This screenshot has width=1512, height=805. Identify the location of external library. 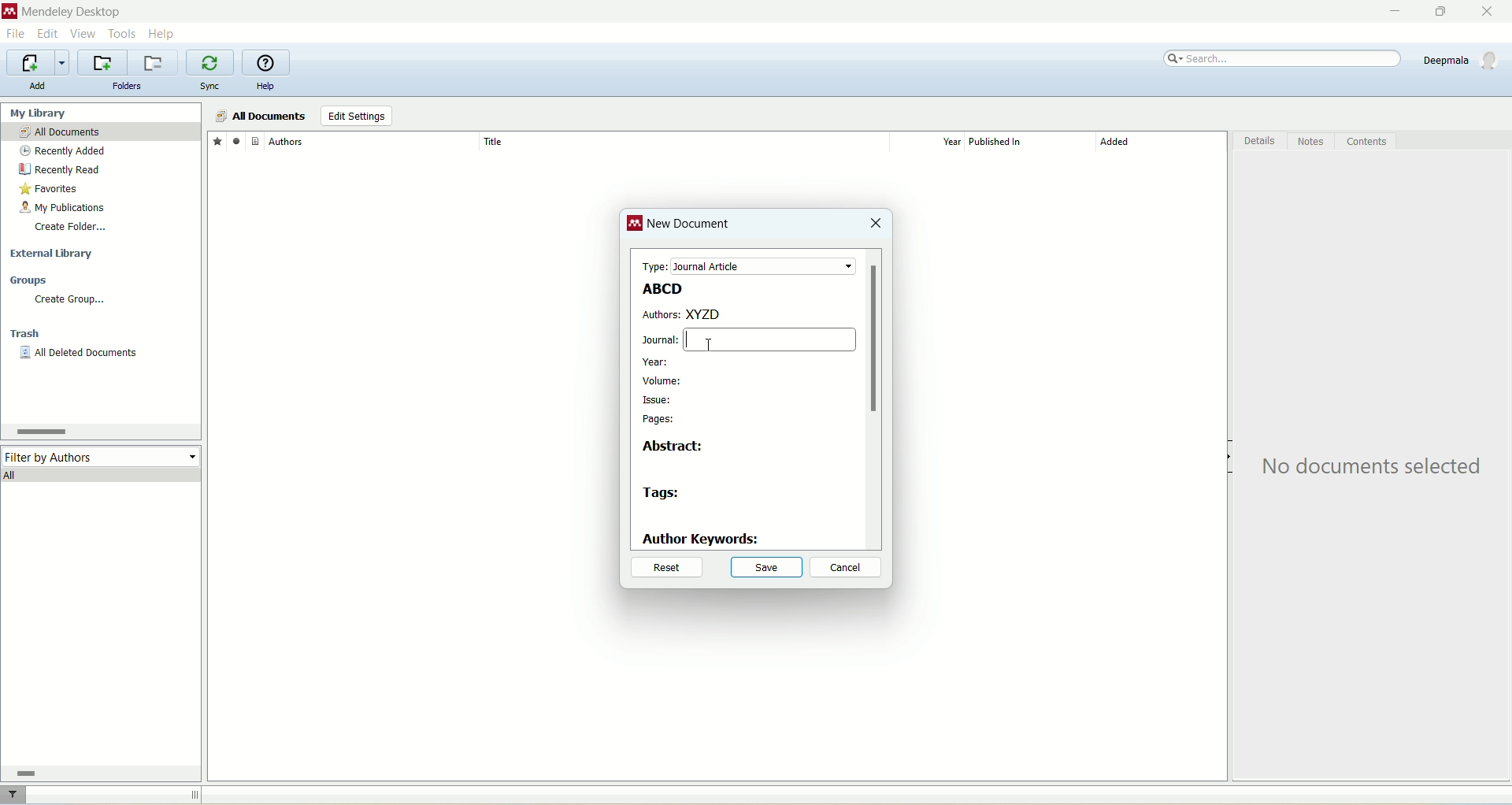
(54, 254).